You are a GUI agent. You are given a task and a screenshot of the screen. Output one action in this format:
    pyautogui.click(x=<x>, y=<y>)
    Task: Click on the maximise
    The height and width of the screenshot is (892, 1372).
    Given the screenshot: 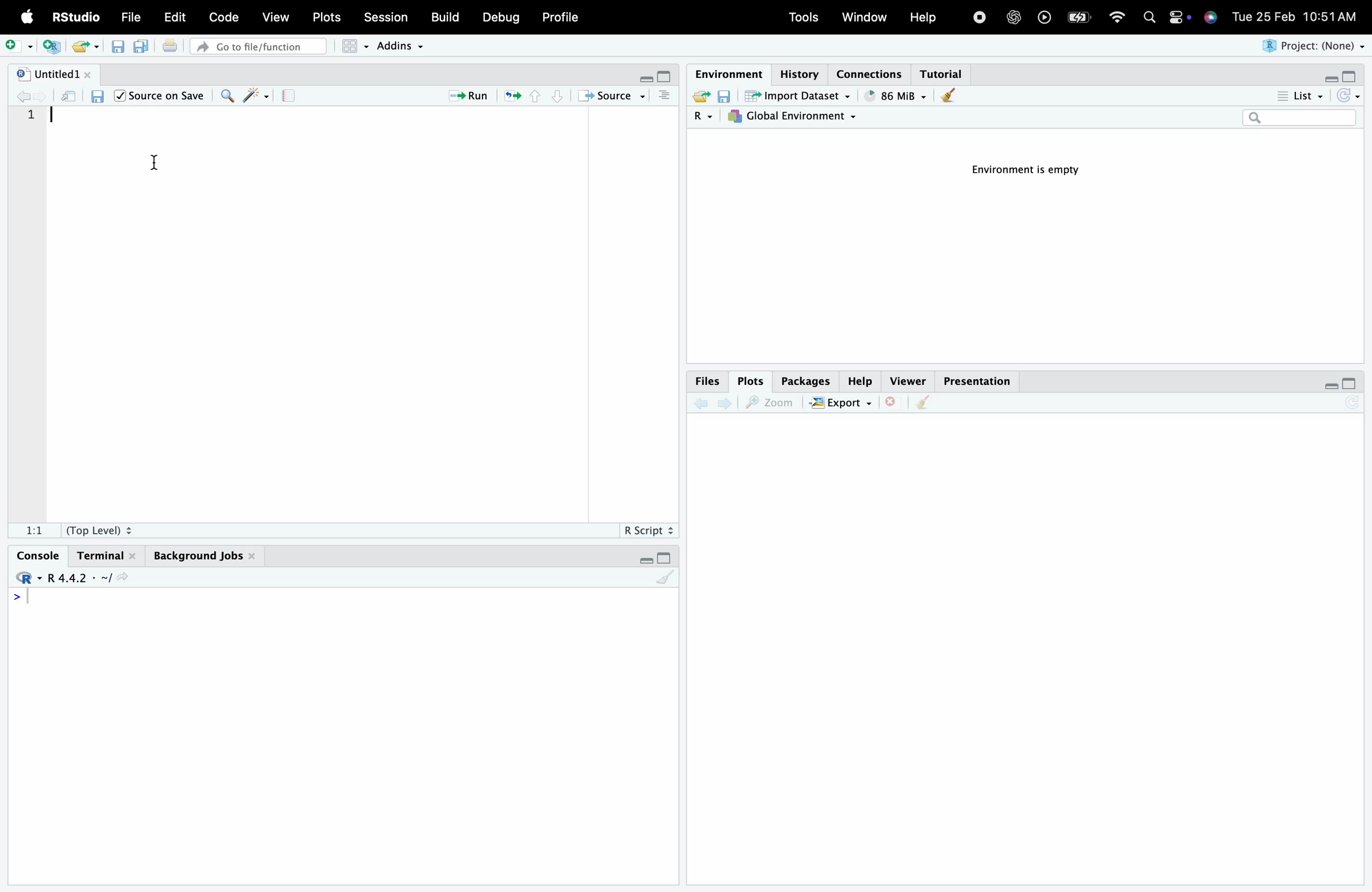 What is the action you would take?
    pyautogui.click(x=1352, y=78)
    